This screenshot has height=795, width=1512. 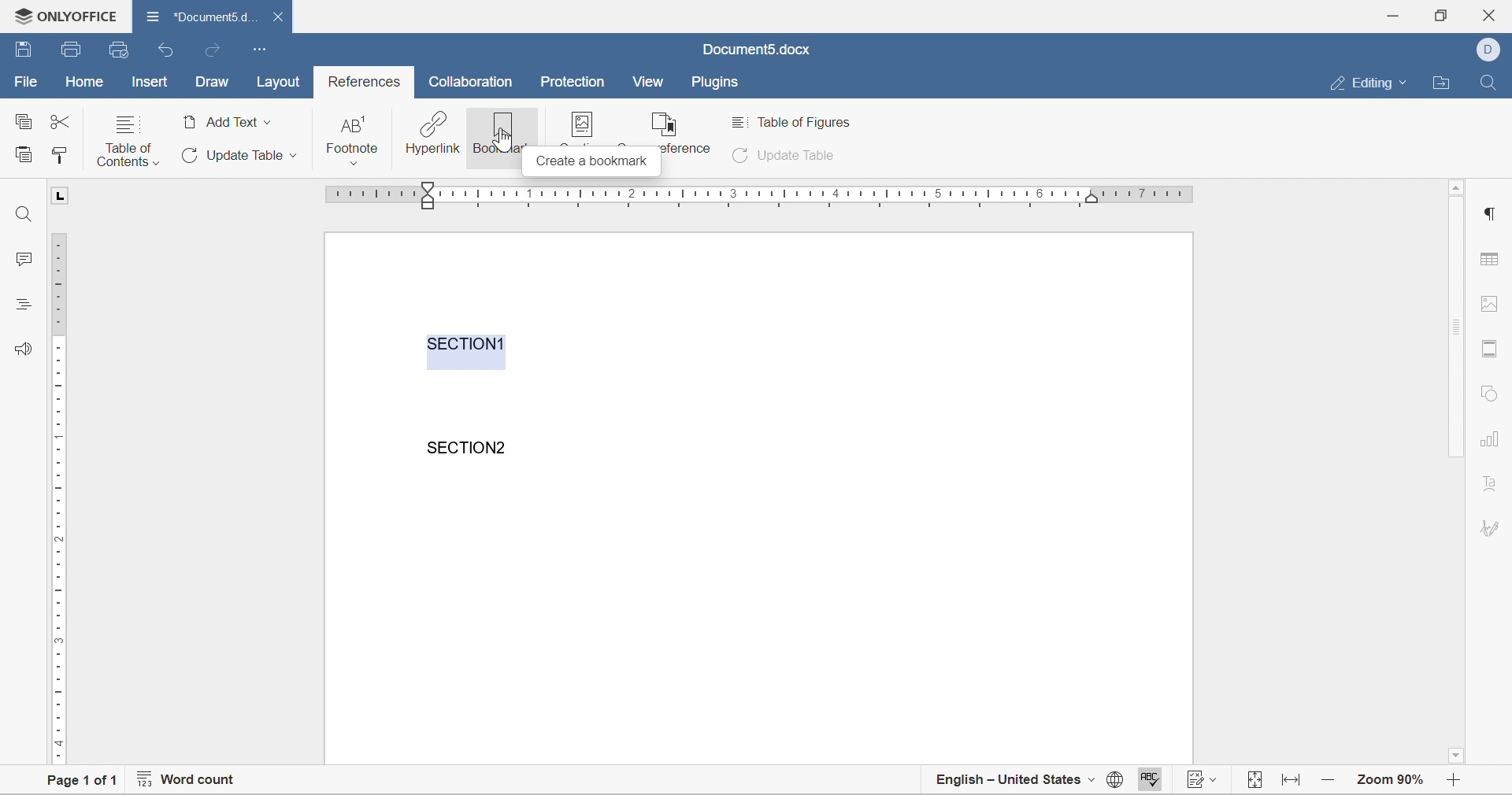 I want to click on table settings, so click(x=1492, y=261).